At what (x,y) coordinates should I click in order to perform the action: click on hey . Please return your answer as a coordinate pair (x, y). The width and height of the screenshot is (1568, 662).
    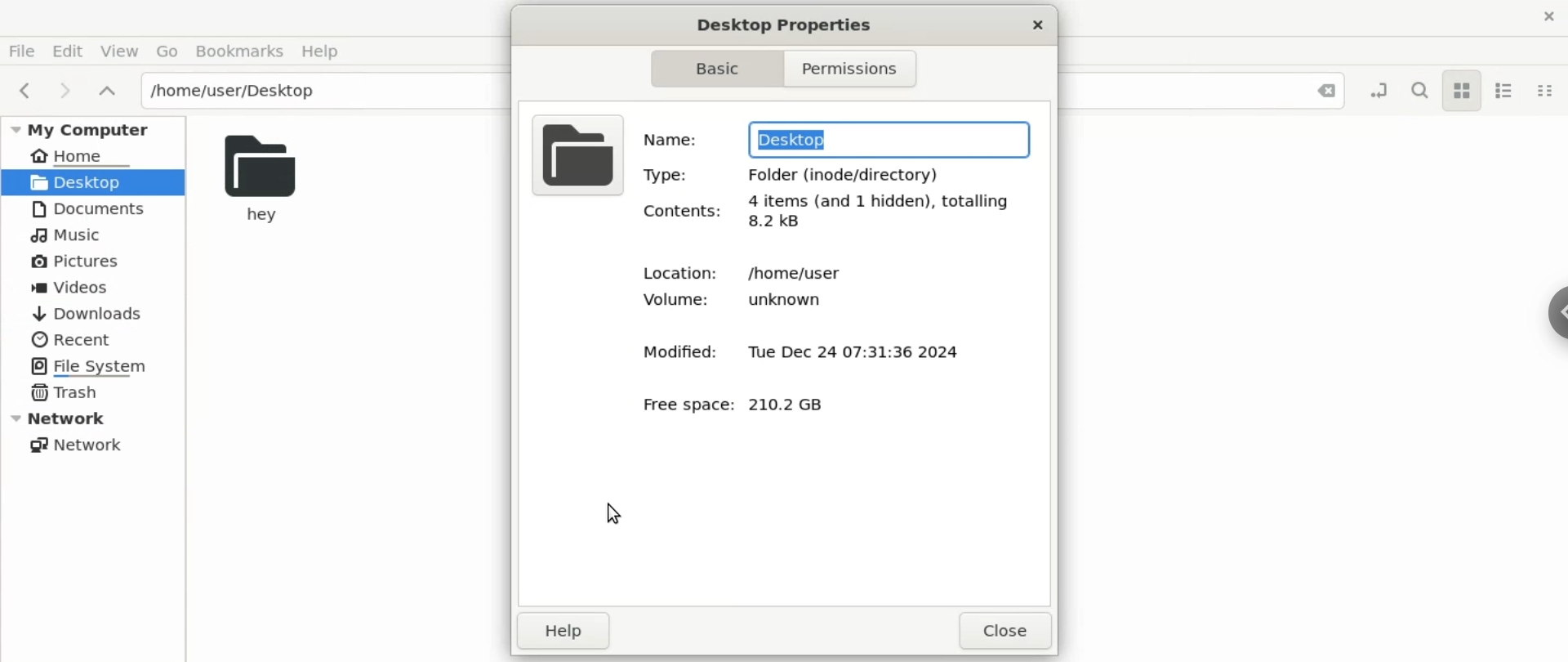
    Looking at the image, I should click on (261, 181).